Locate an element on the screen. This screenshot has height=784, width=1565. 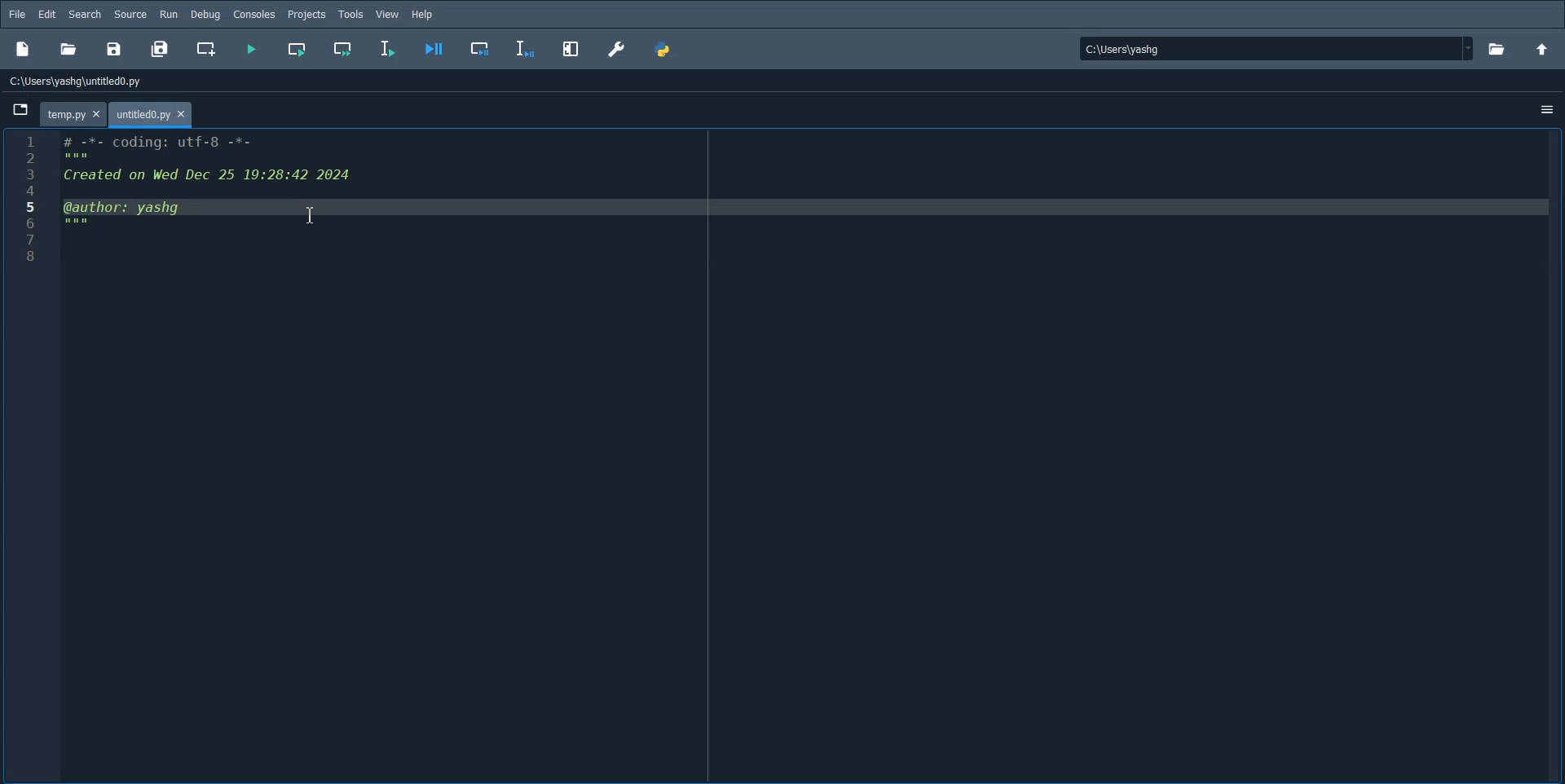
Open file is located at coordinates (1498, 47).